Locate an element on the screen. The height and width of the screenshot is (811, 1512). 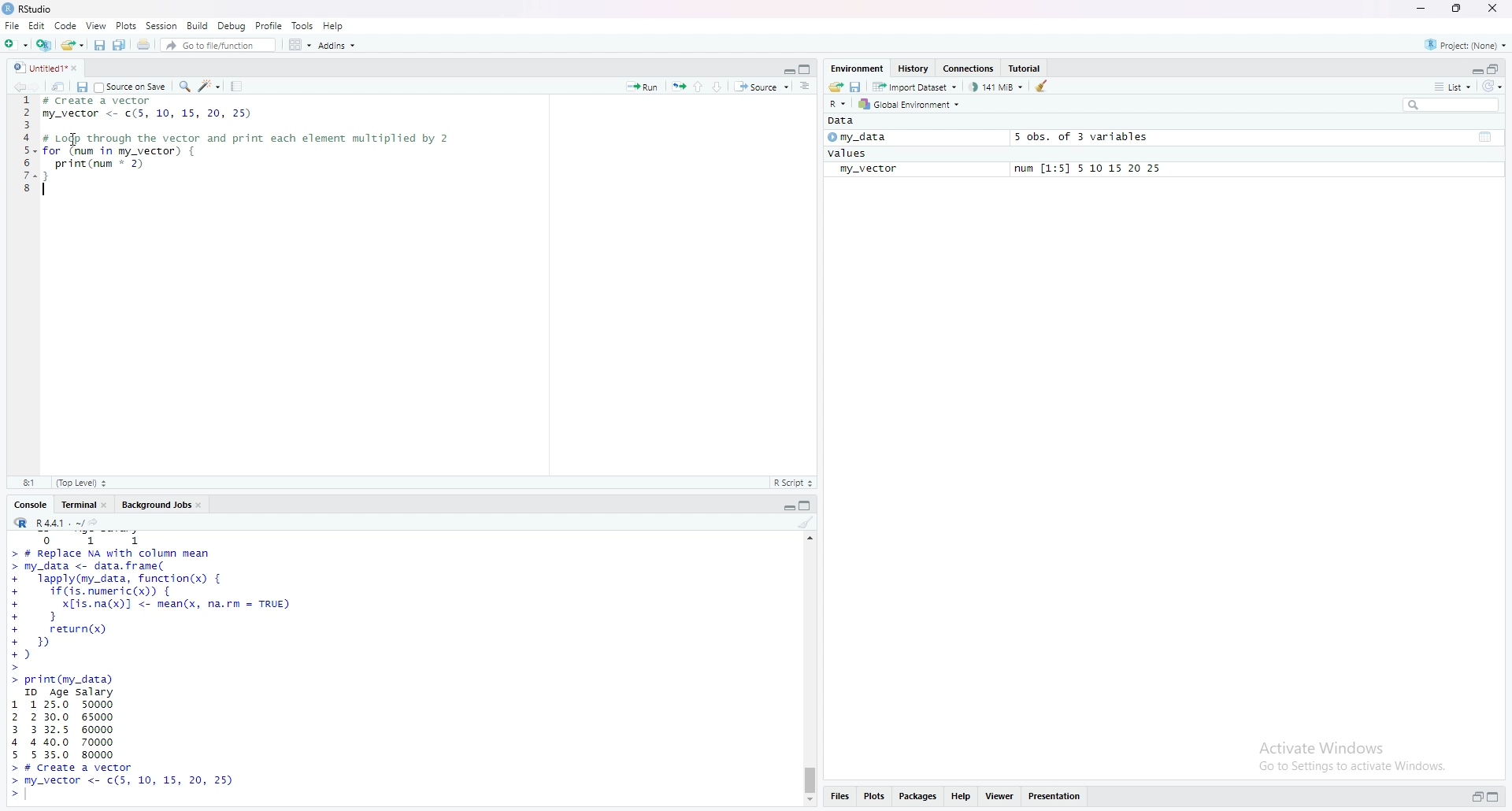
expand is located at coordinates (787, 71).